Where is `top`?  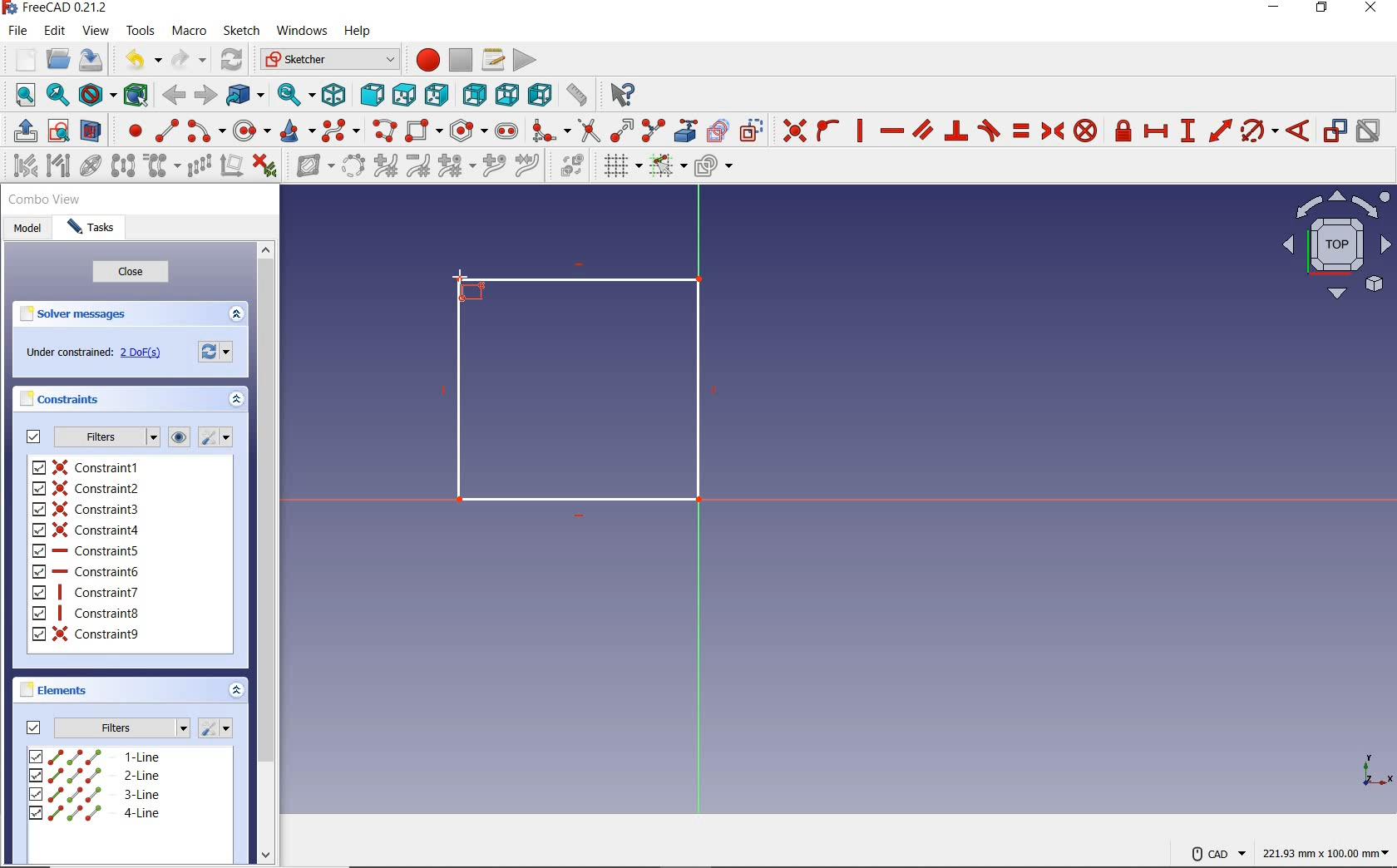
top is located at coordinates (404, 95).